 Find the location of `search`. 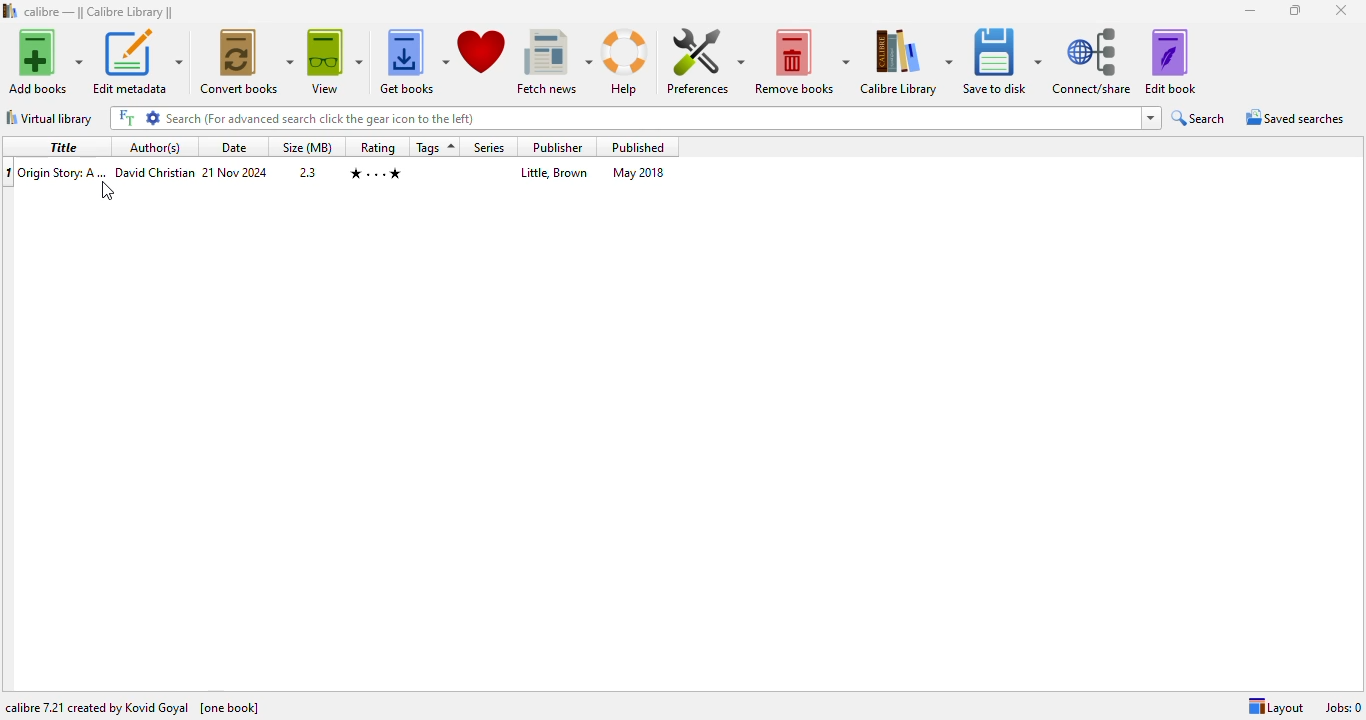

search is located at coordinates (1200, 118).